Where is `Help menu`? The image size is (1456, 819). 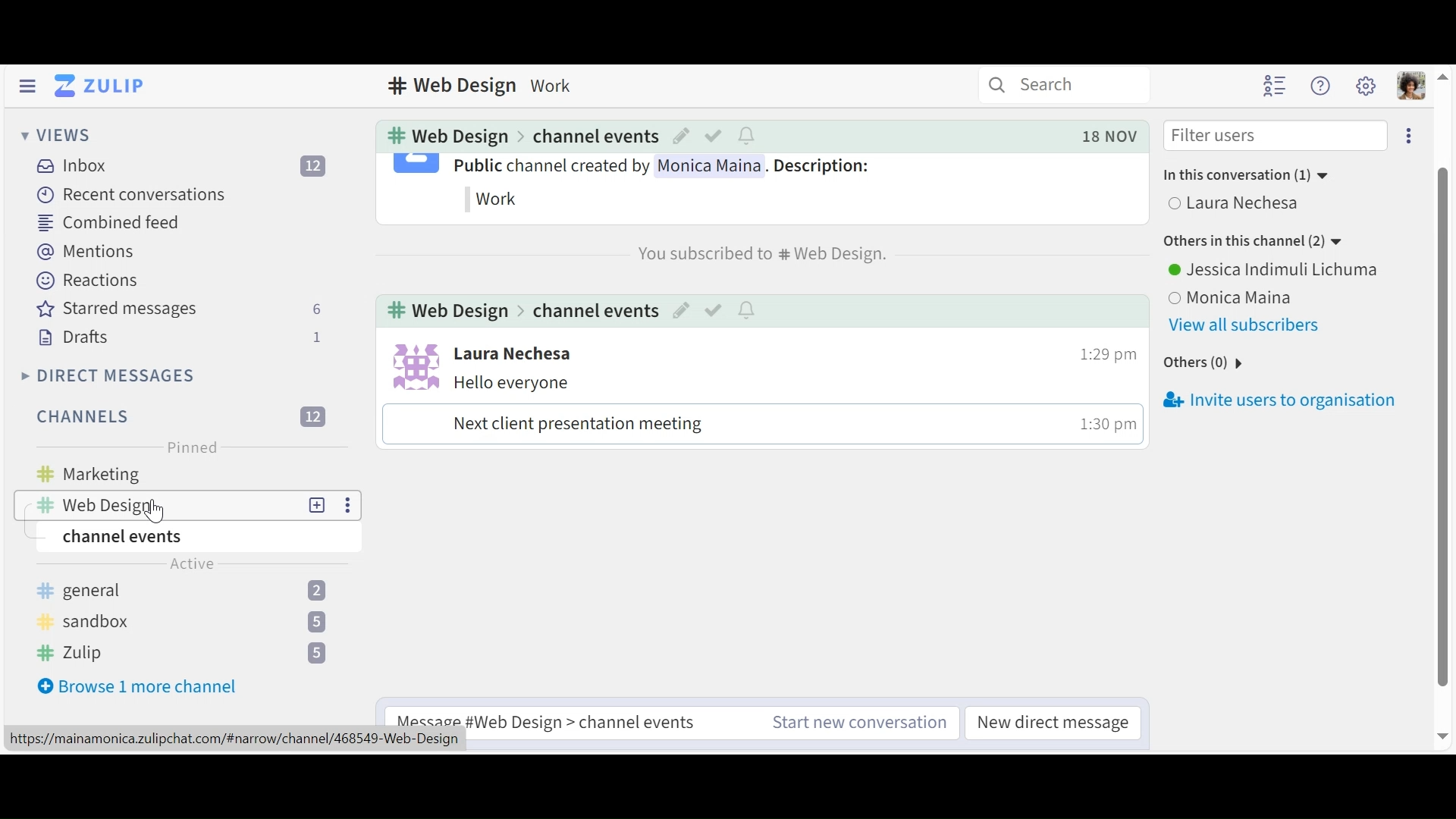 Help menu is located at coordinates (1322, 85).